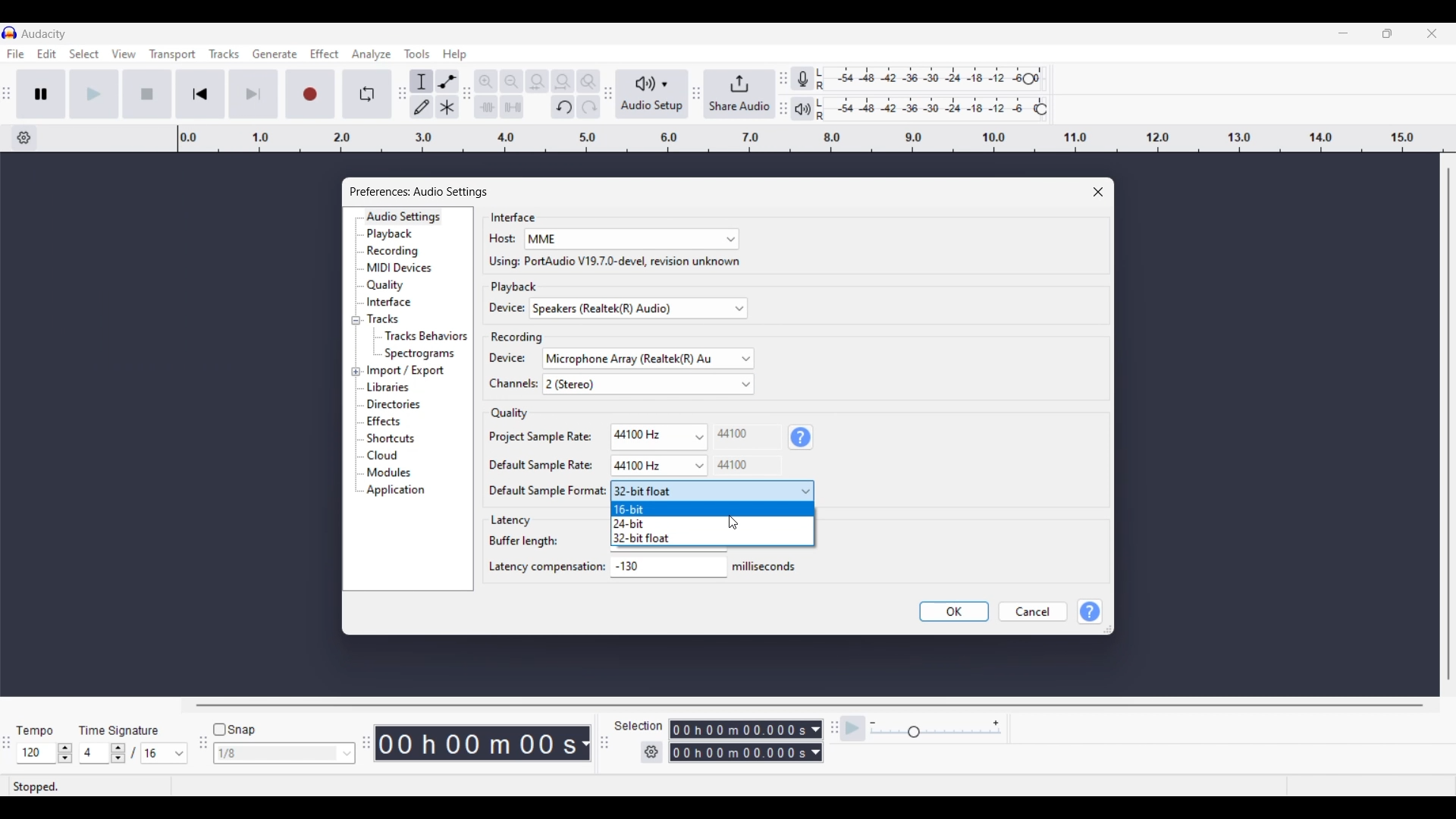  Describe the element at coordinates (585, 743) in the screenshot. I see `Metrics to calculate recording` at that location.